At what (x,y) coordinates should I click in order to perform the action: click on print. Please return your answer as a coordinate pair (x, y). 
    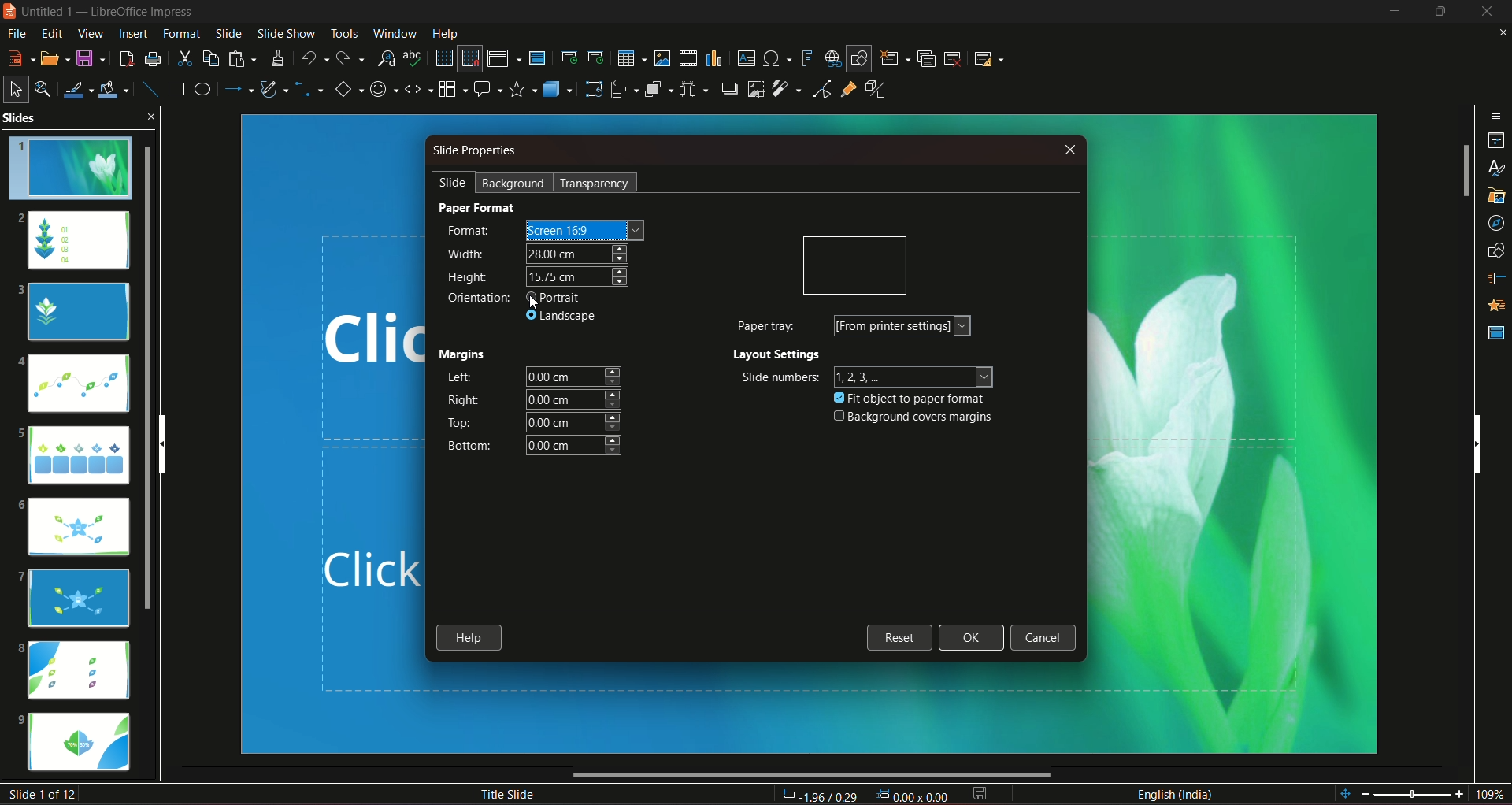
    Looking at the image, I should click on (153, 57).